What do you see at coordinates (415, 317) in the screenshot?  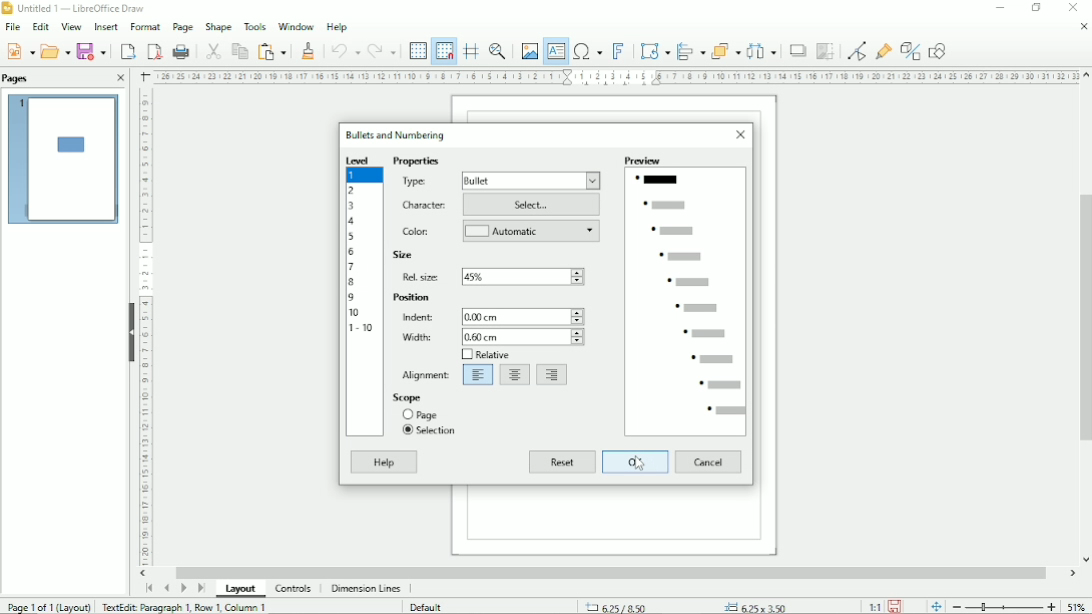 I see `Indent` at bounding box center [415, 317].